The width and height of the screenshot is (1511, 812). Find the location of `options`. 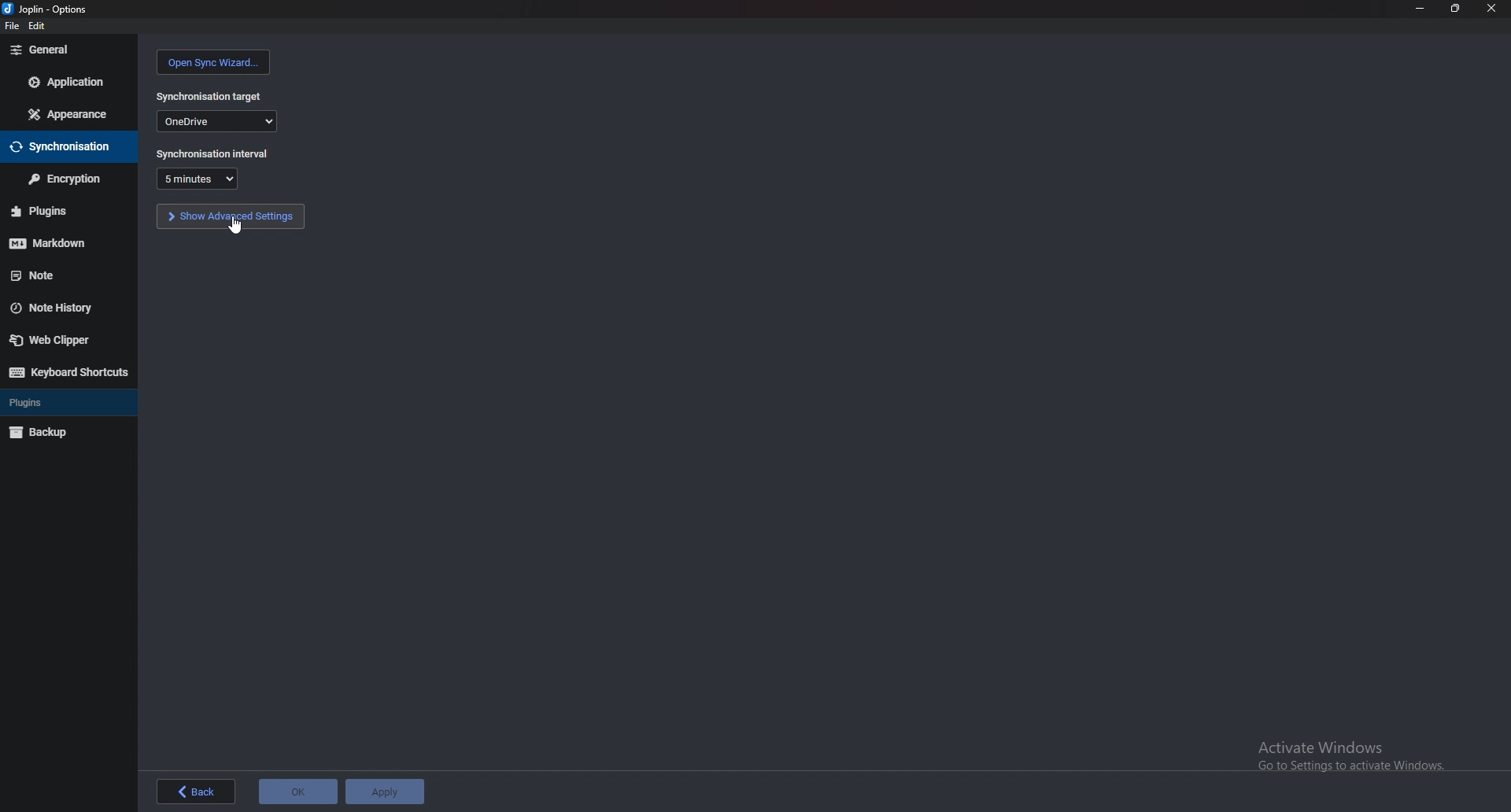

options is located at coordinates (47, 9).